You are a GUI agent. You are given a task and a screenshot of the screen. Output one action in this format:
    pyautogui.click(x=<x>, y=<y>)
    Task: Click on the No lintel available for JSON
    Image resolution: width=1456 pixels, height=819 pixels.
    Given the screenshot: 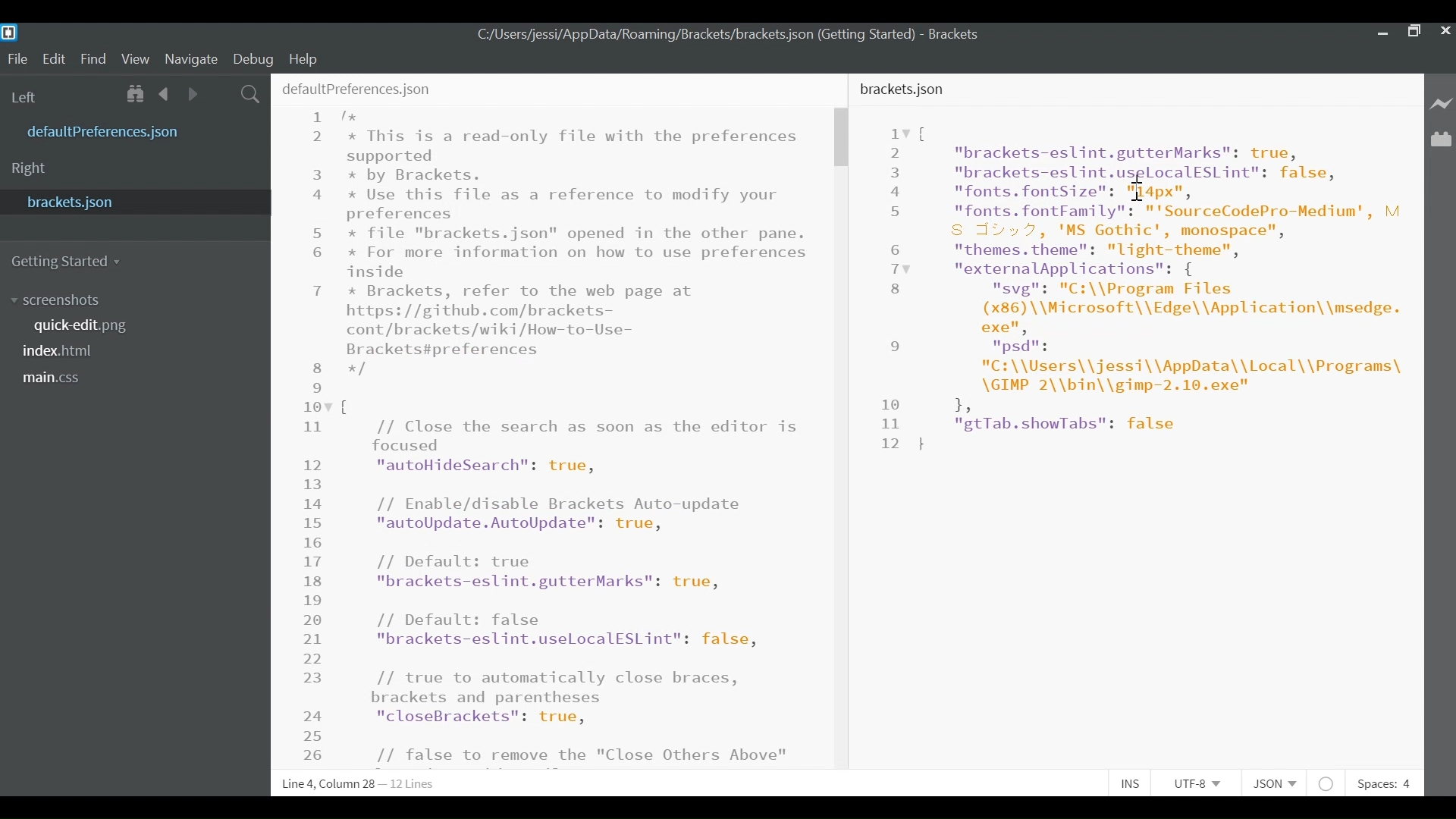 What is the action you would take?
    pyautogui.click(x=1327, y=782)
    